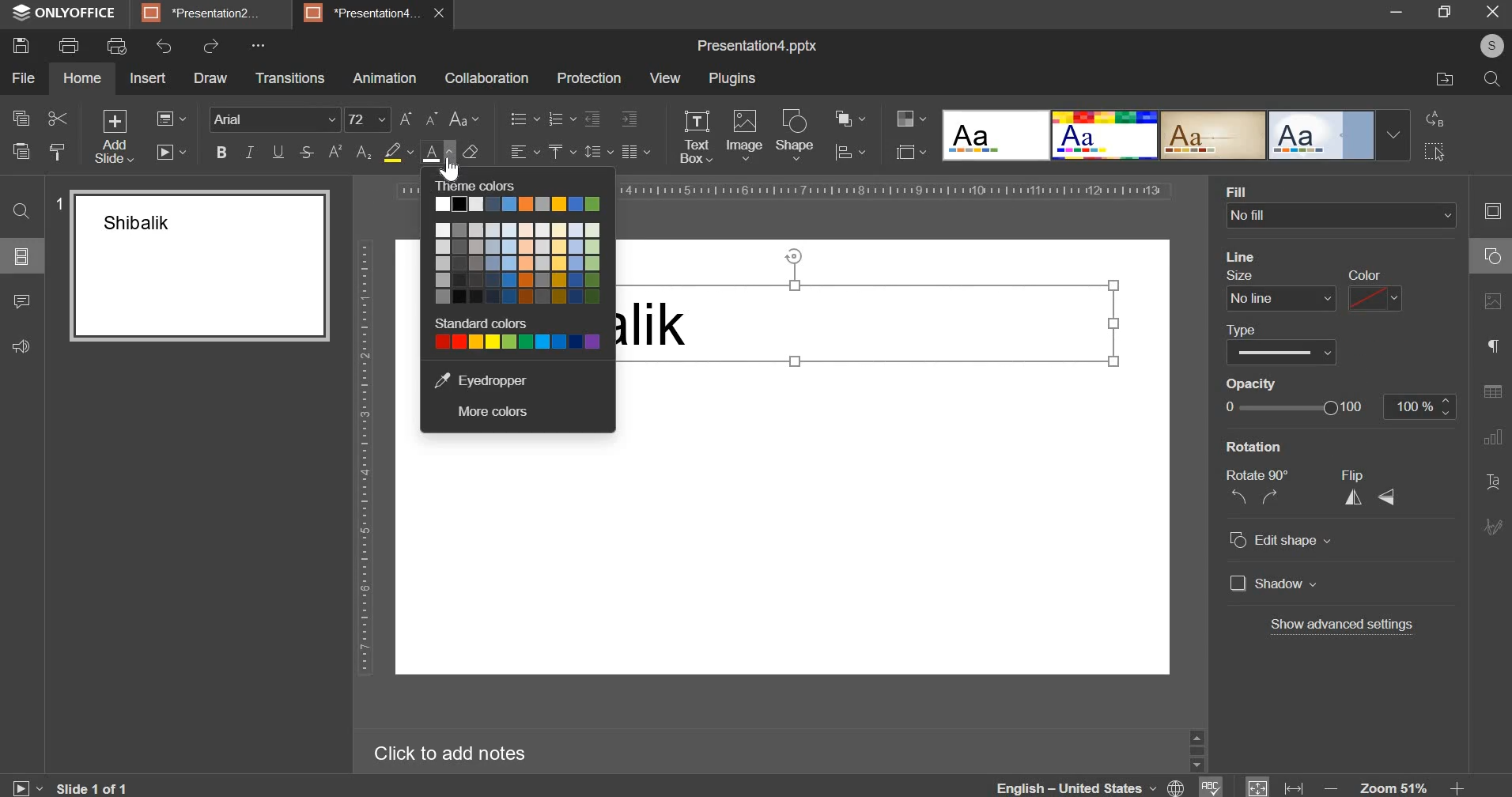 This screenshot has width=1512, height=797. What do you see at coordinates (112, 137) in the screenshot?
I see `add slides` at bounding box center [112, 137].